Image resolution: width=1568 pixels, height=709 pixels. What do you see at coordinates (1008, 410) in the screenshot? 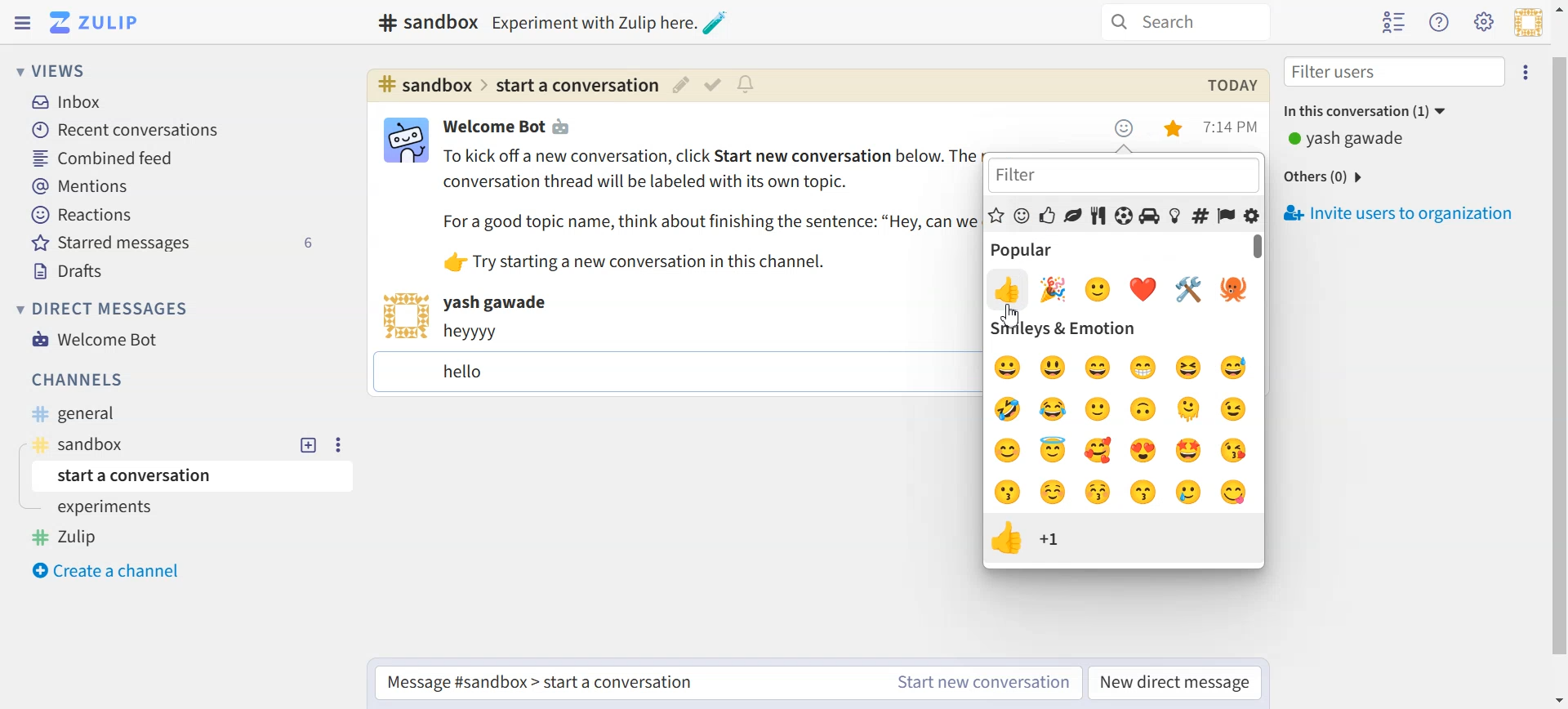
I see `ROFL` at bounding box center [1008, 410].